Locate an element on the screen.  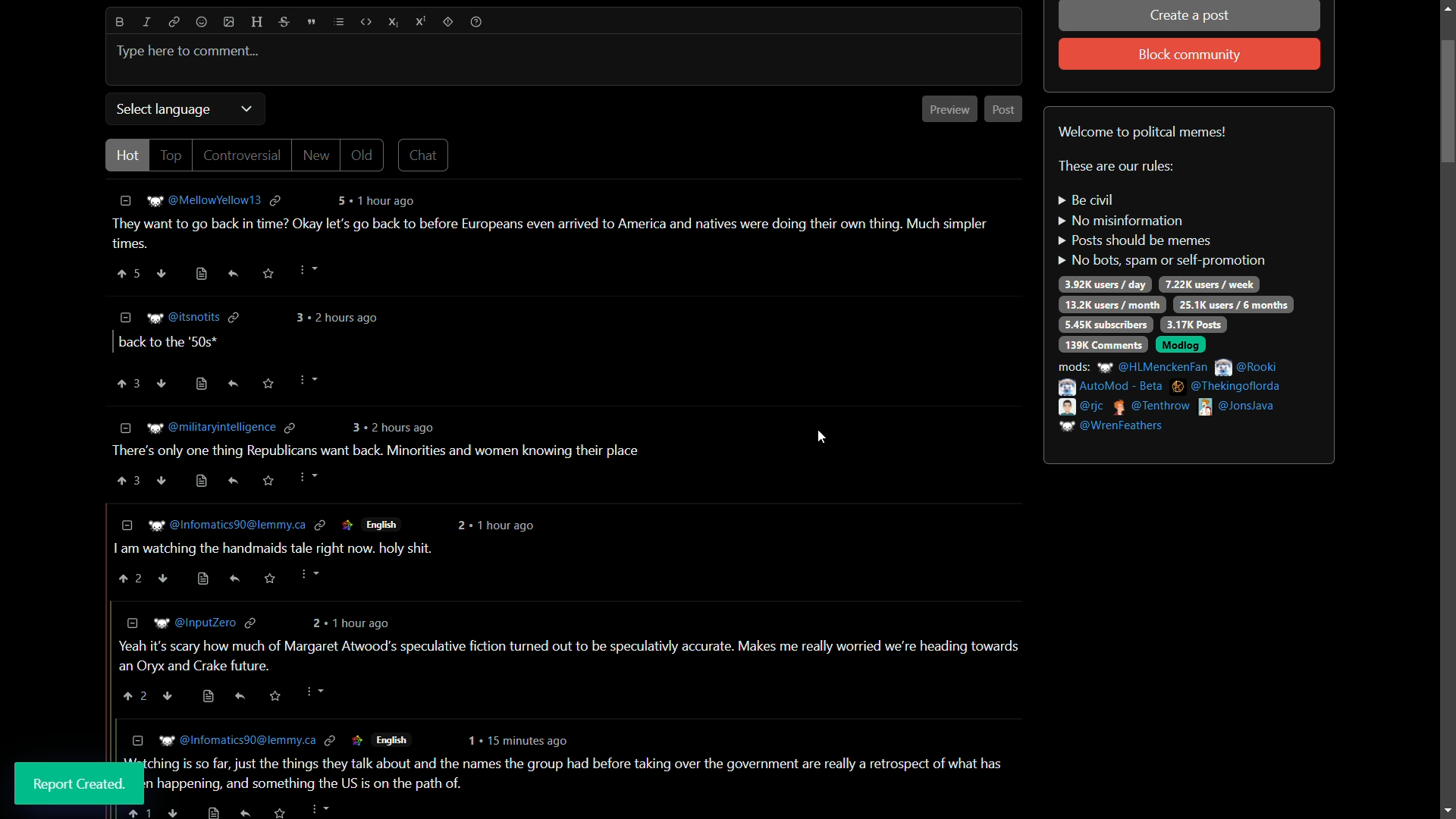
strikethrough is located at coordinates (281, 23).